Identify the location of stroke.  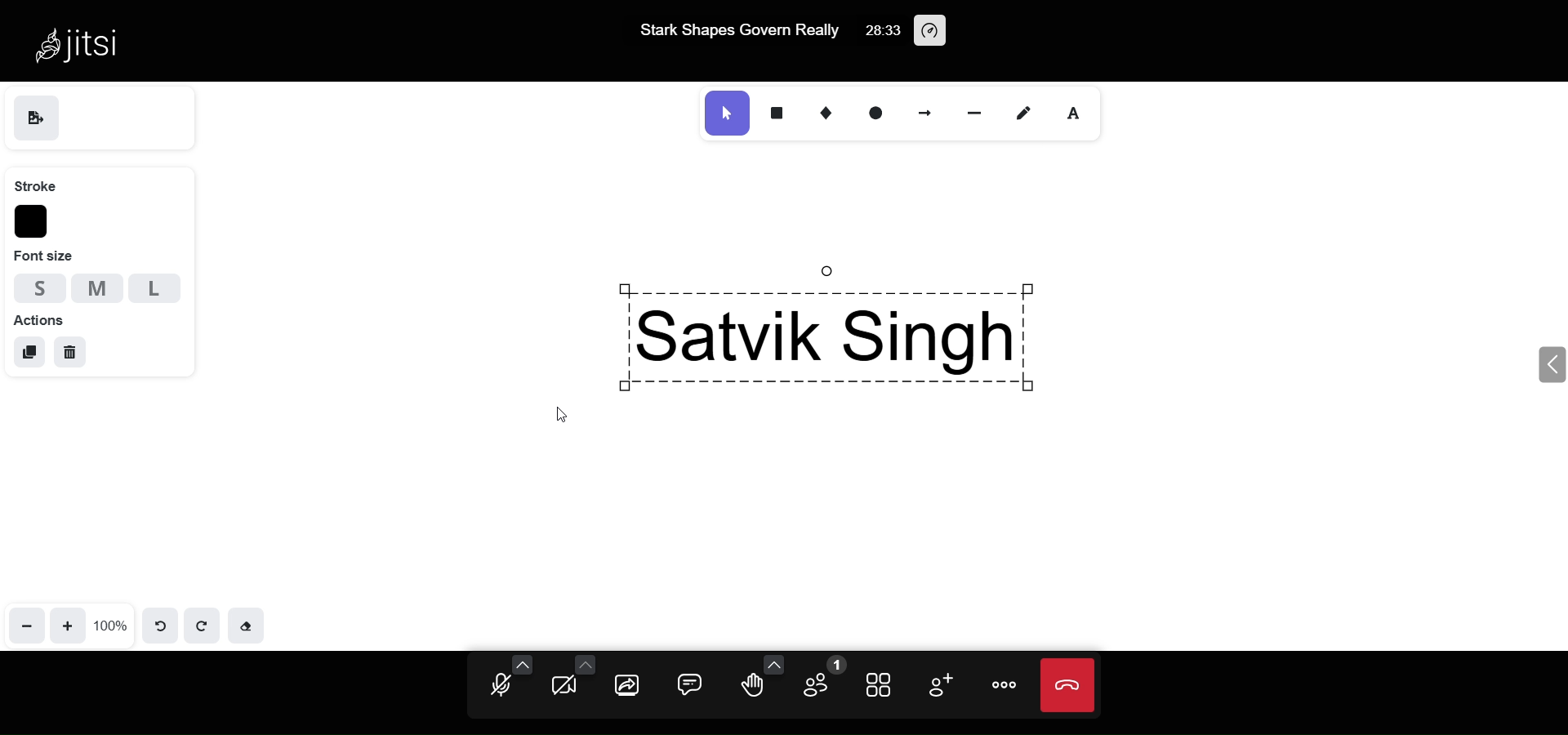
(35, 186).